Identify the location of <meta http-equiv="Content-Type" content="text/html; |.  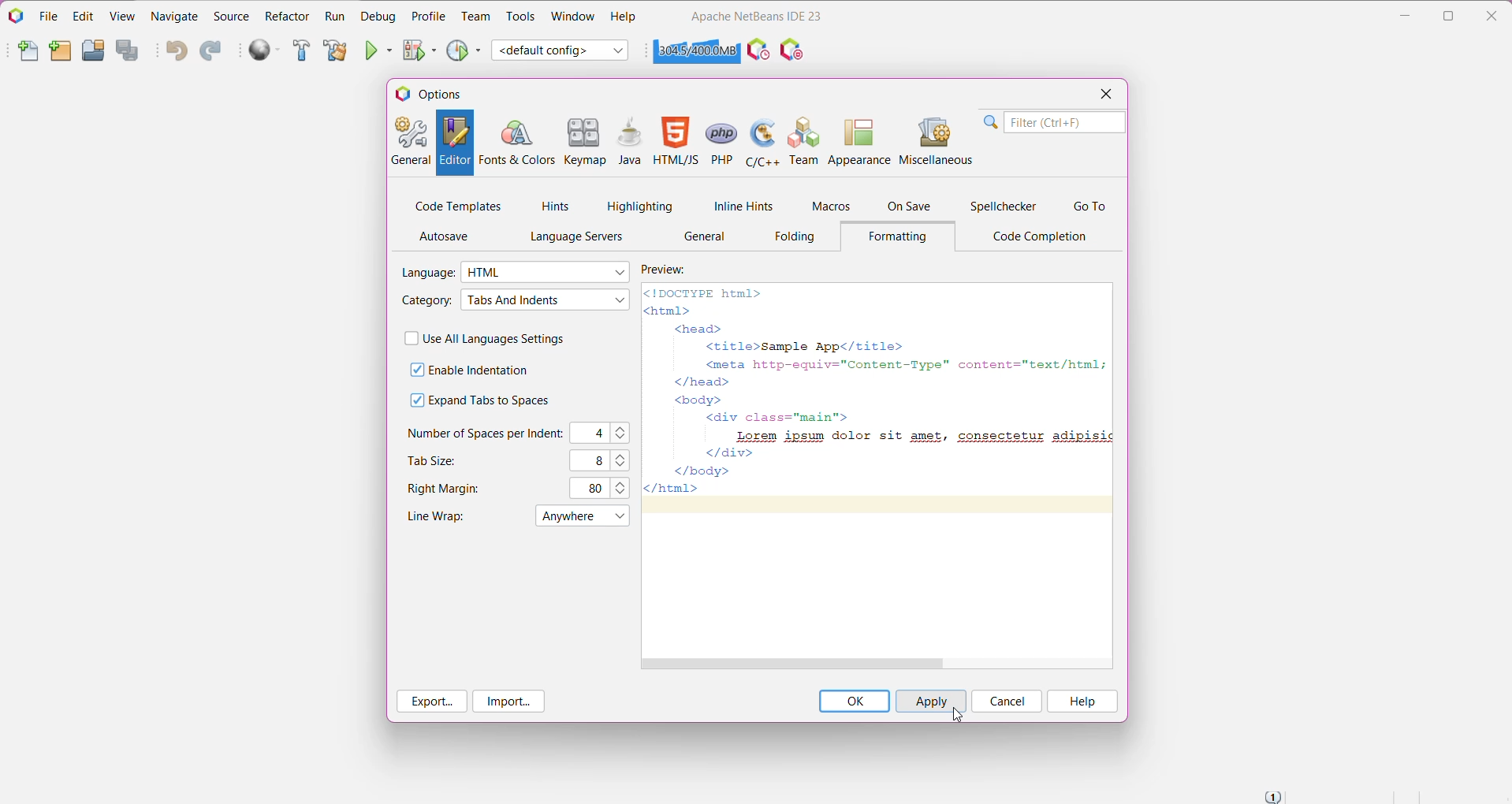
(900, 364).